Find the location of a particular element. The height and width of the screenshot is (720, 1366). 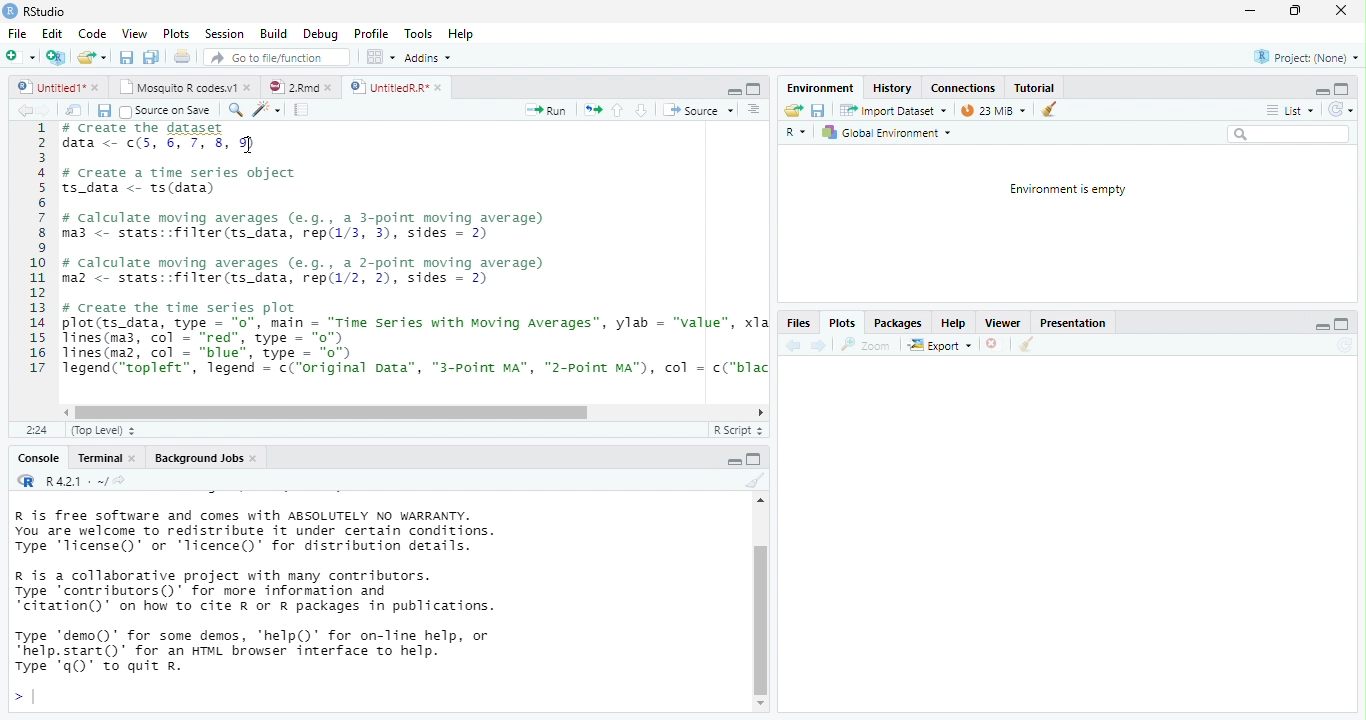

close is located at coordinates (1340, 11).